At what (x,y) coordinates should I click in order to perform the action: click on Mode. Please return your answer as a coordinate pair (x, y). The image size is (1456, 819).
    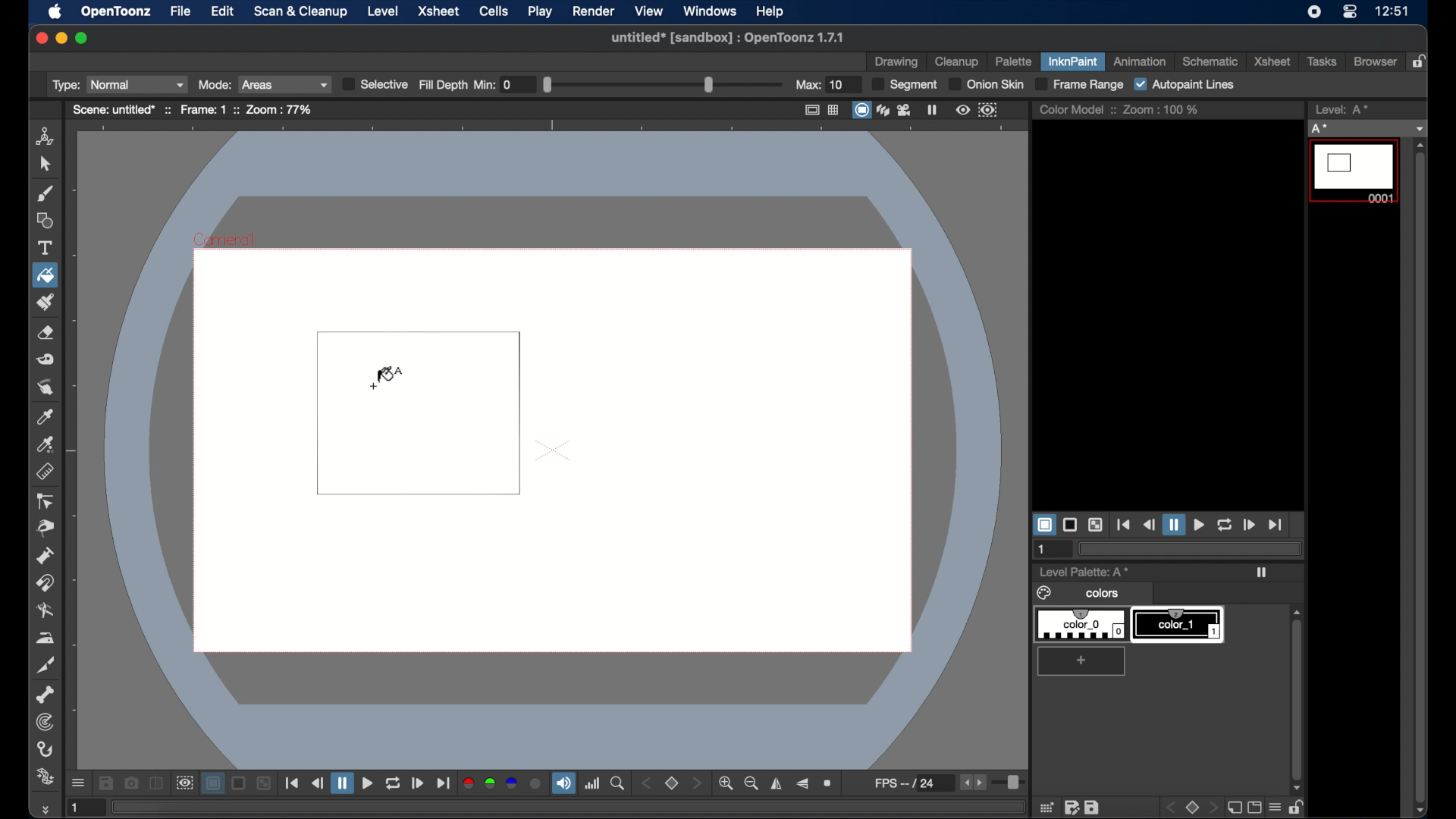
    Looking at the image, I should click on (261, 84).